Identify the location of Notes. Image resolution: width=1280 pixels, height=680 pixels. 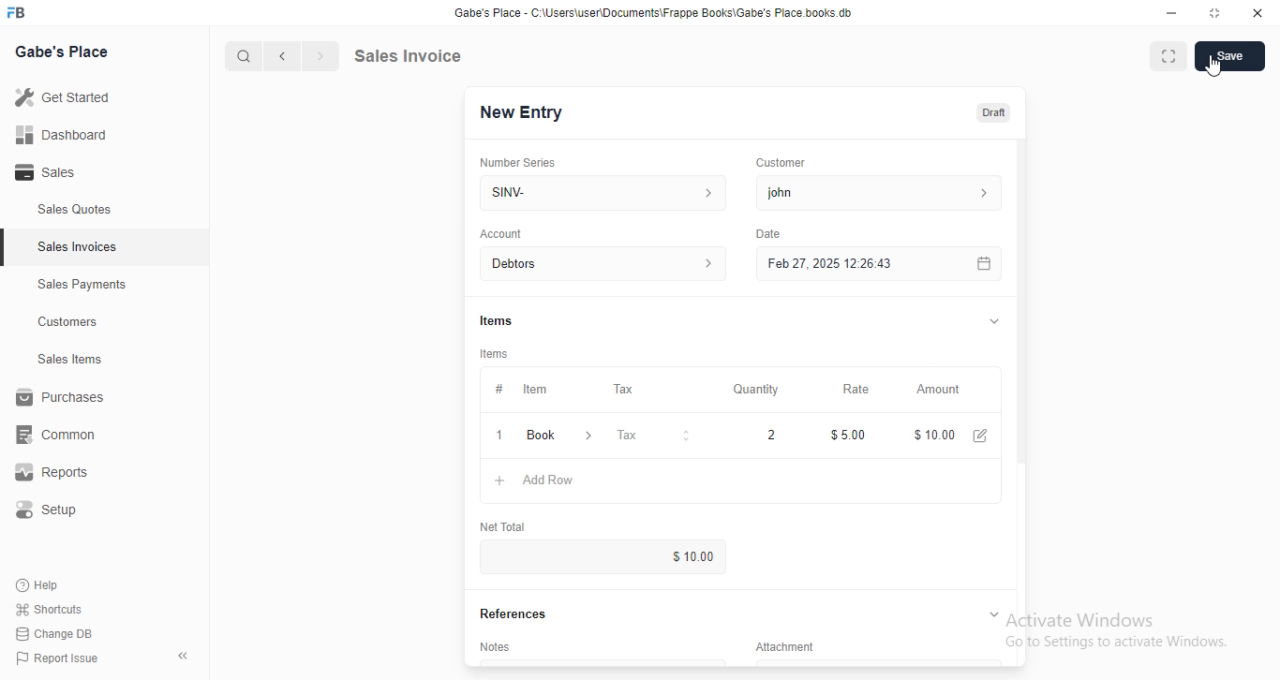
(494, 645).